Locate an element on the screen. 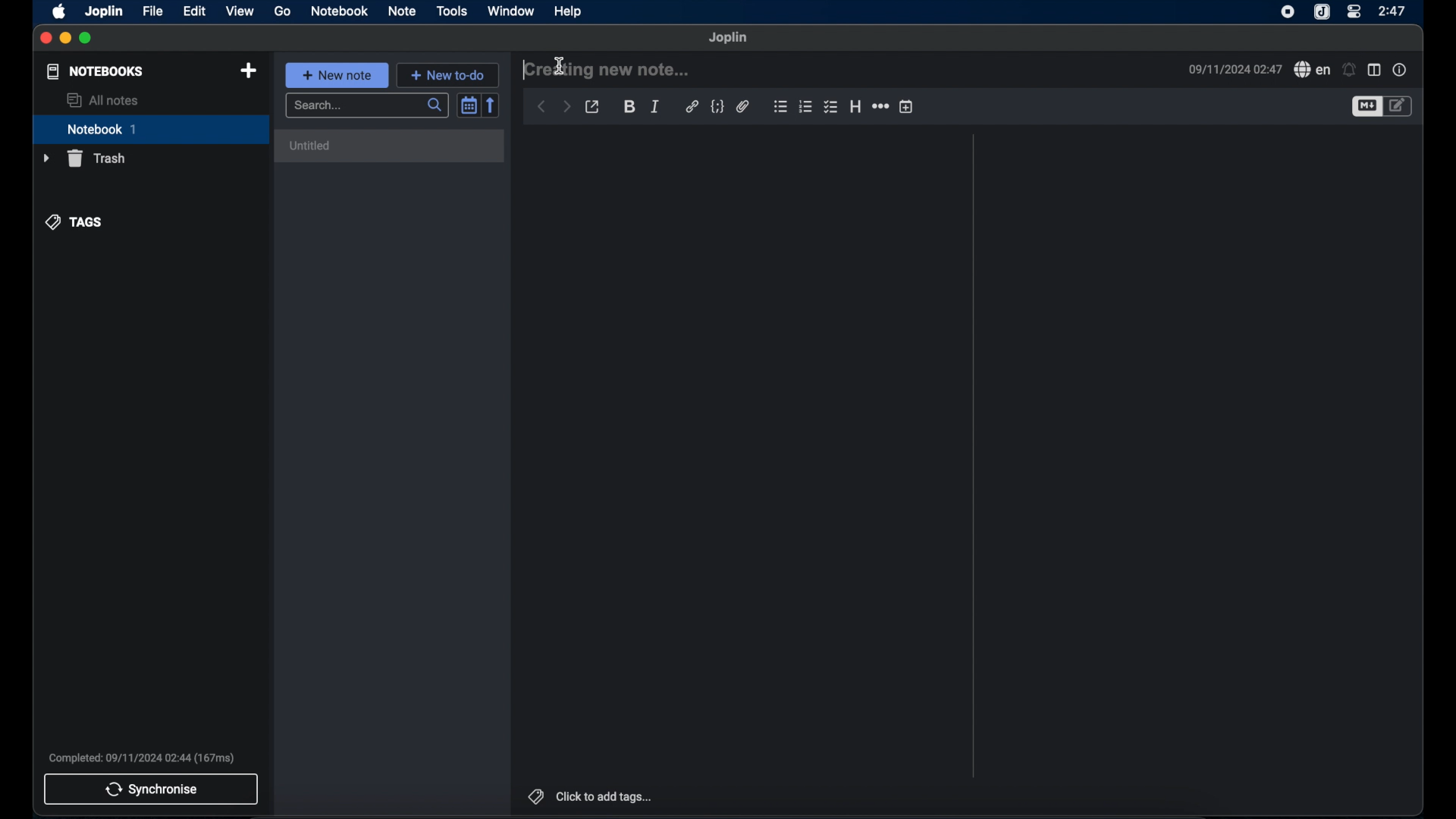 This screenshot has width=1456, height=819. minimize is located at coordinates (65, 39).